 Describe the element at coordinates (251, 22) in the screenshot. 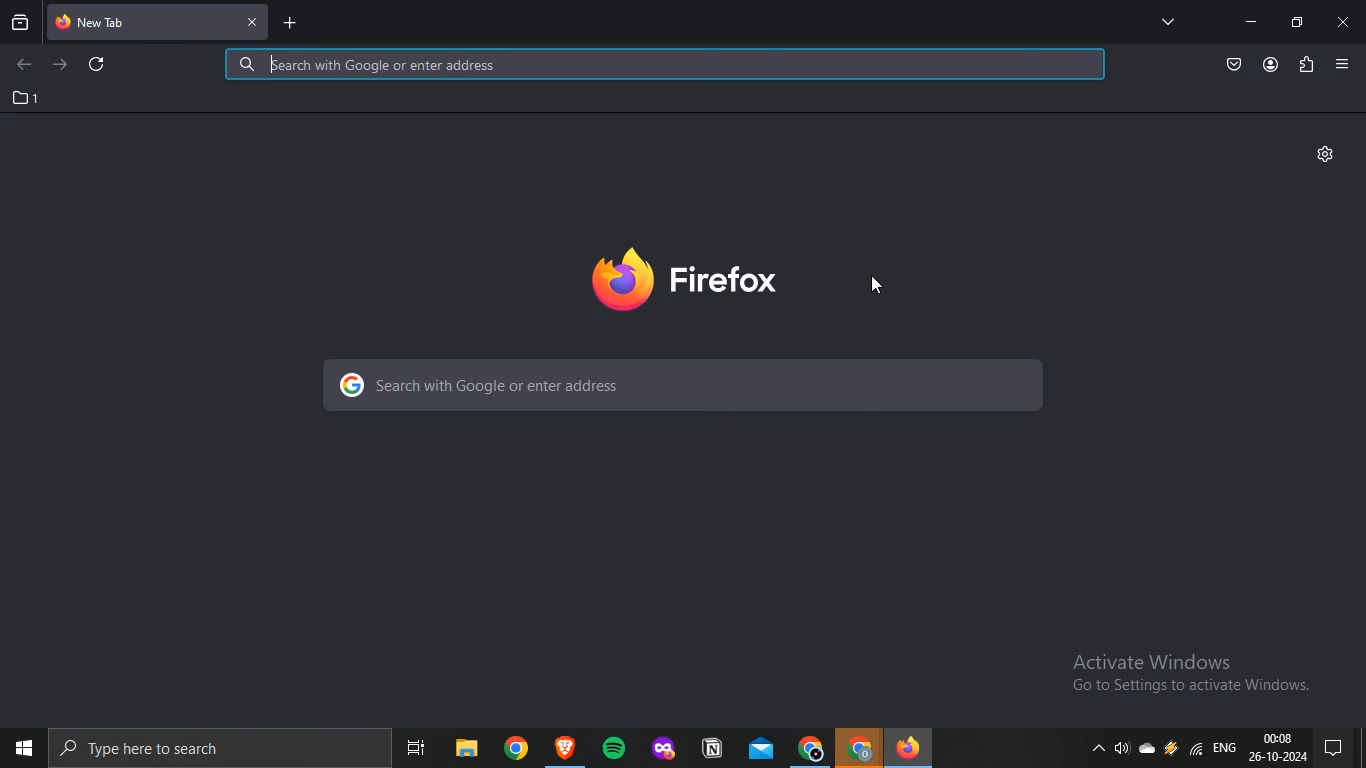

I see `close tab` at that location.